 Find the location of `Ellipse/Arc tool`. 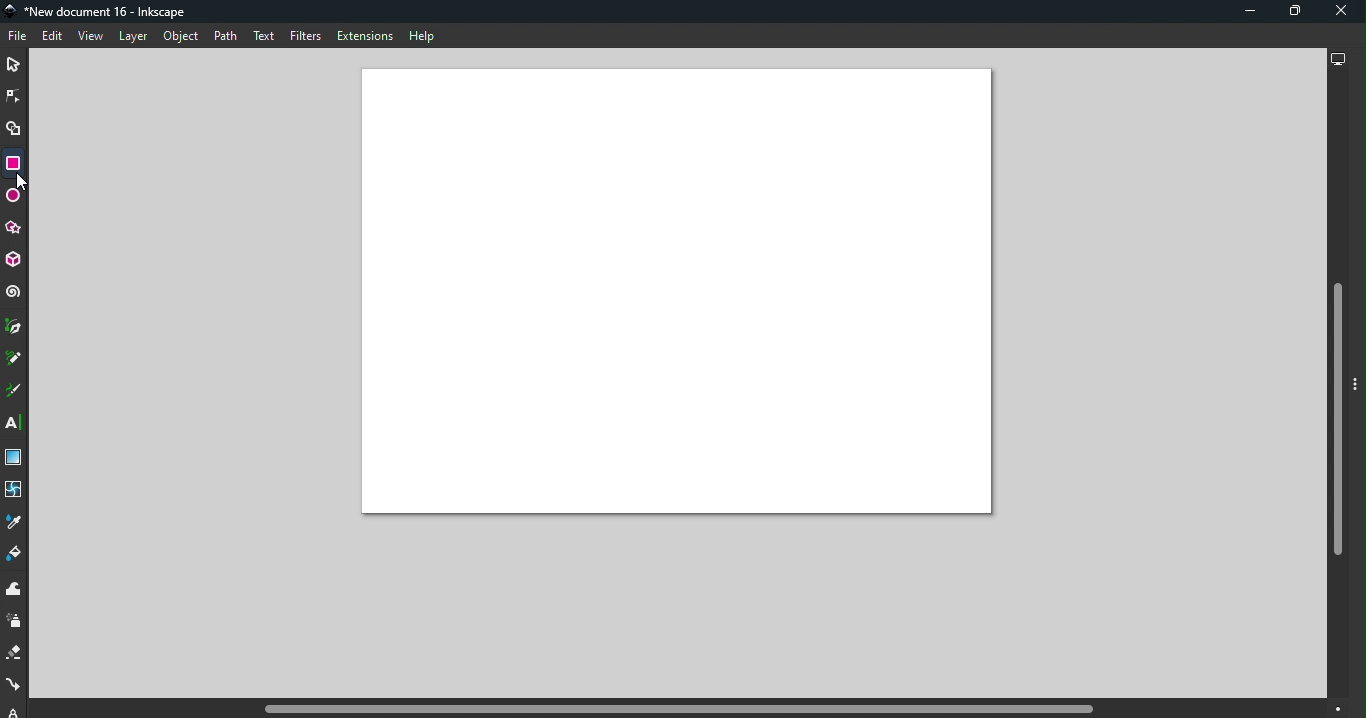

Ellipse/Arc tool is located at coordinates (14, 198).